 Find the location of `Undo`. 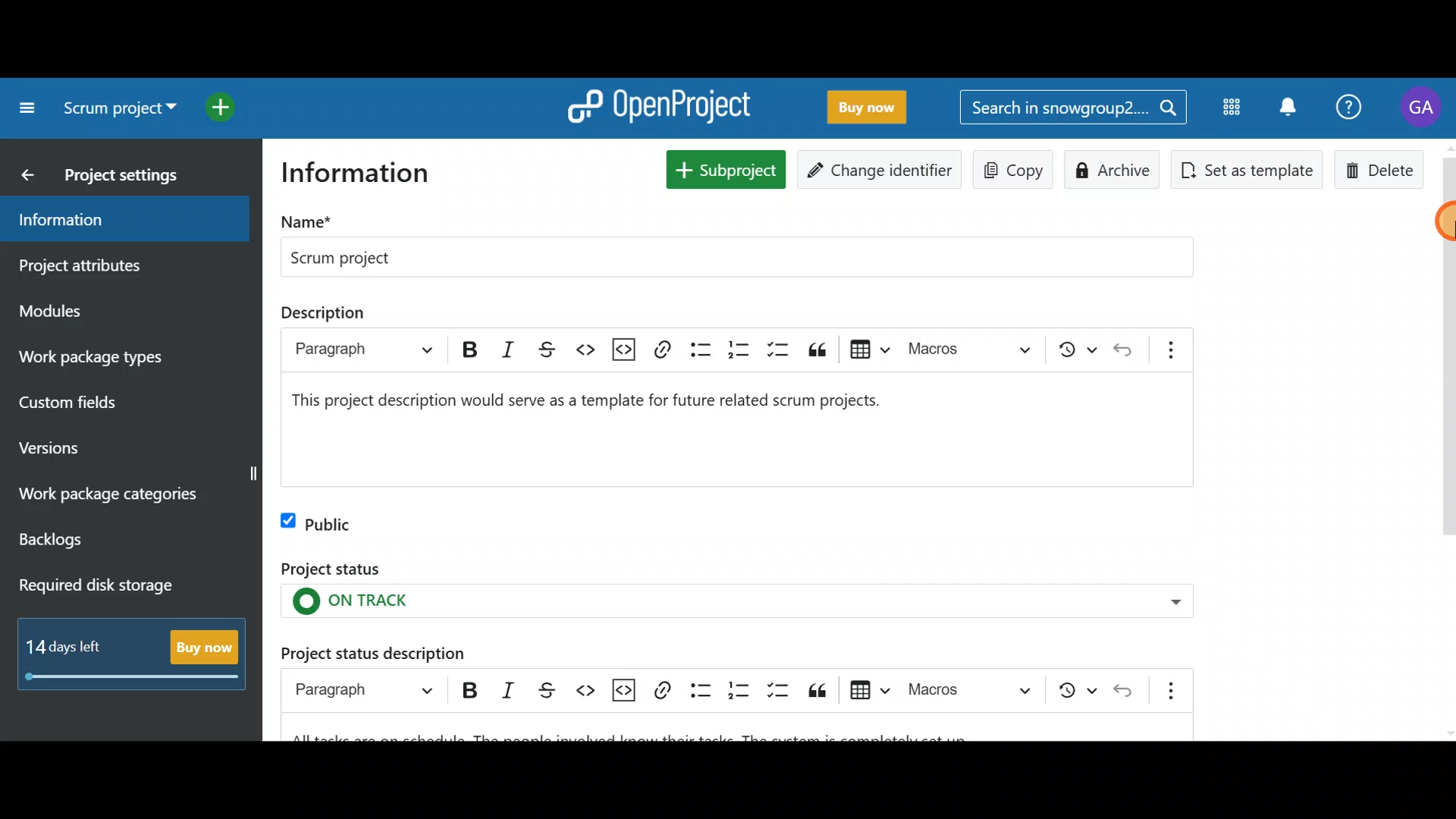

Undo is located at coordinates (1124, 689).